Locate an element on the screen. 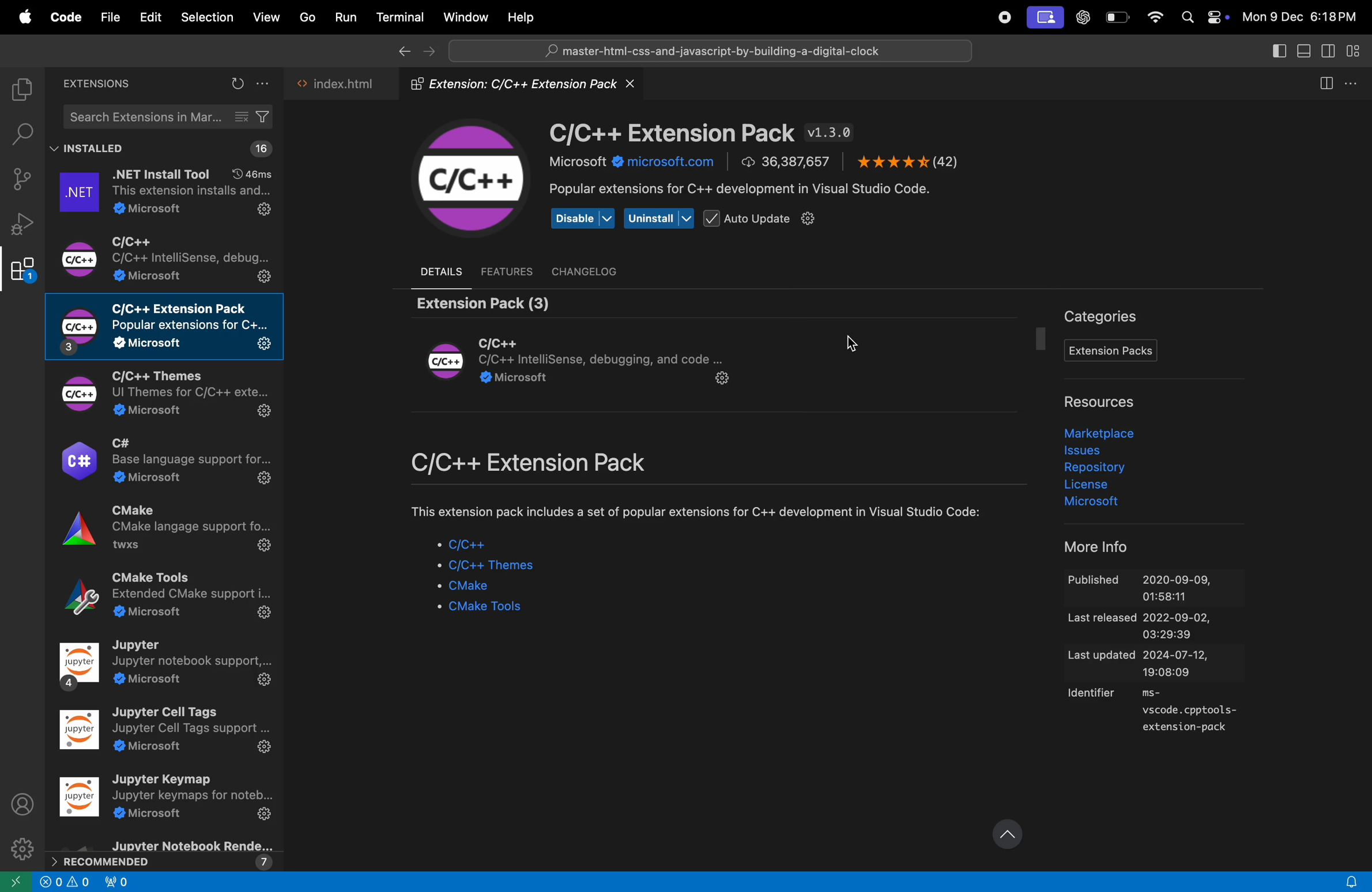  toggle secondary side bar is located at coordinates (1328, 51).